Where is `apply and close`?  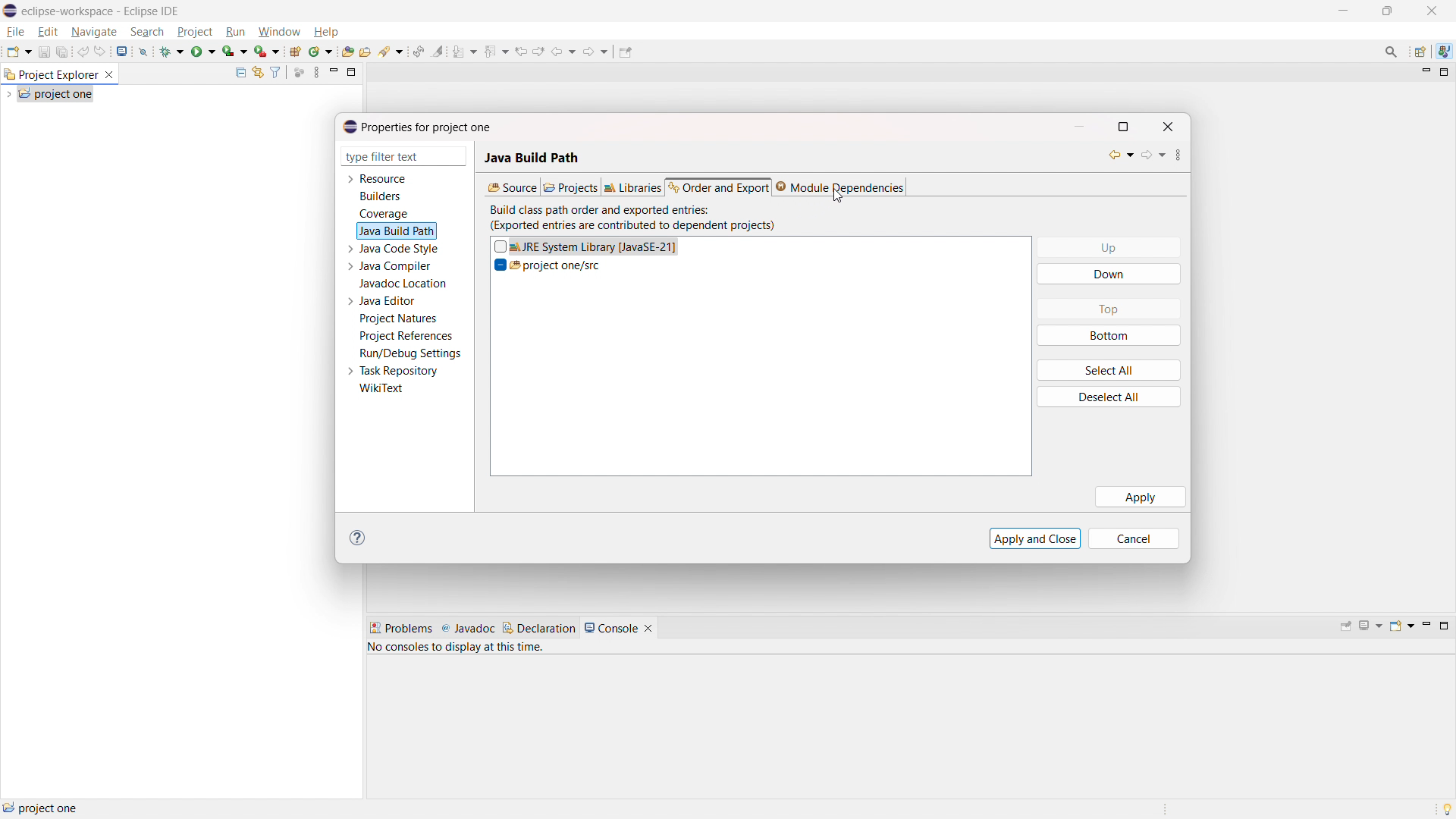
apply and close is located at coordinates (1035, 538).